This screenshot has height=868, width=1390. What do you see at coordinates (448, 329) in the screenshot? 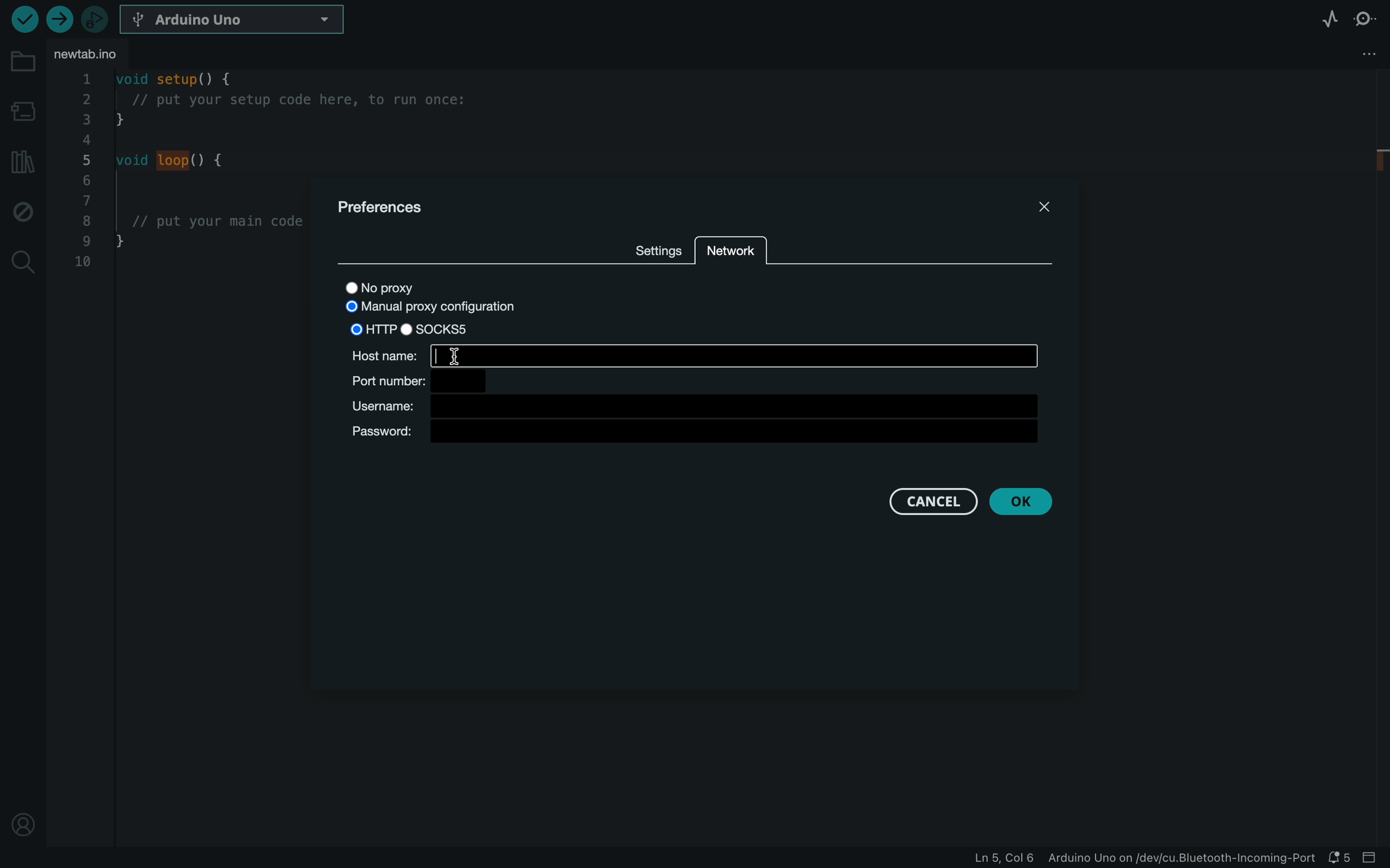
I see `SOCKS5` at bounding box center [448, 329].